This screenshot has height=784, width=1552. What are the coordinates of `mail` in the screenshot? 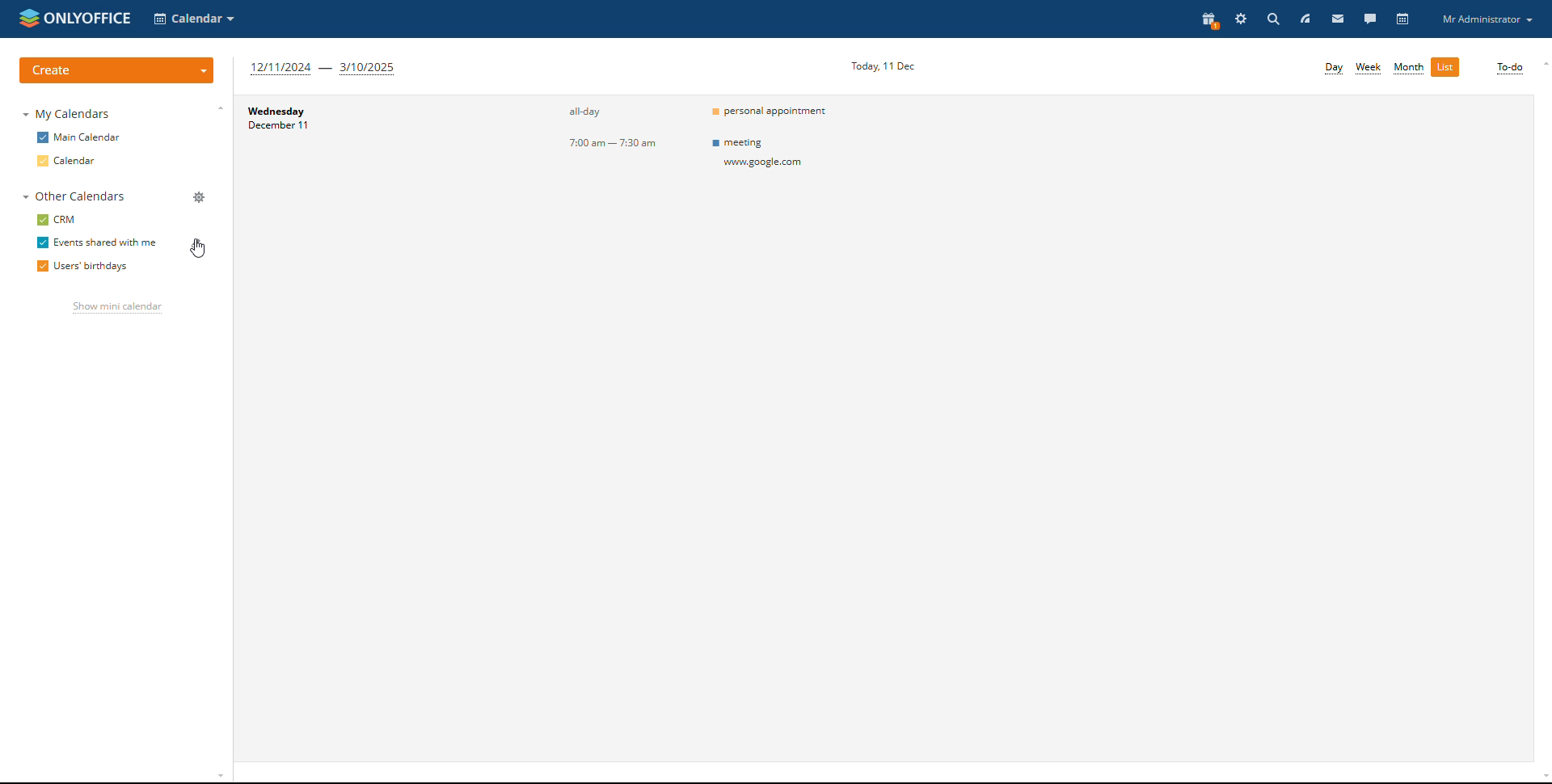 It's located at (1337, 18).